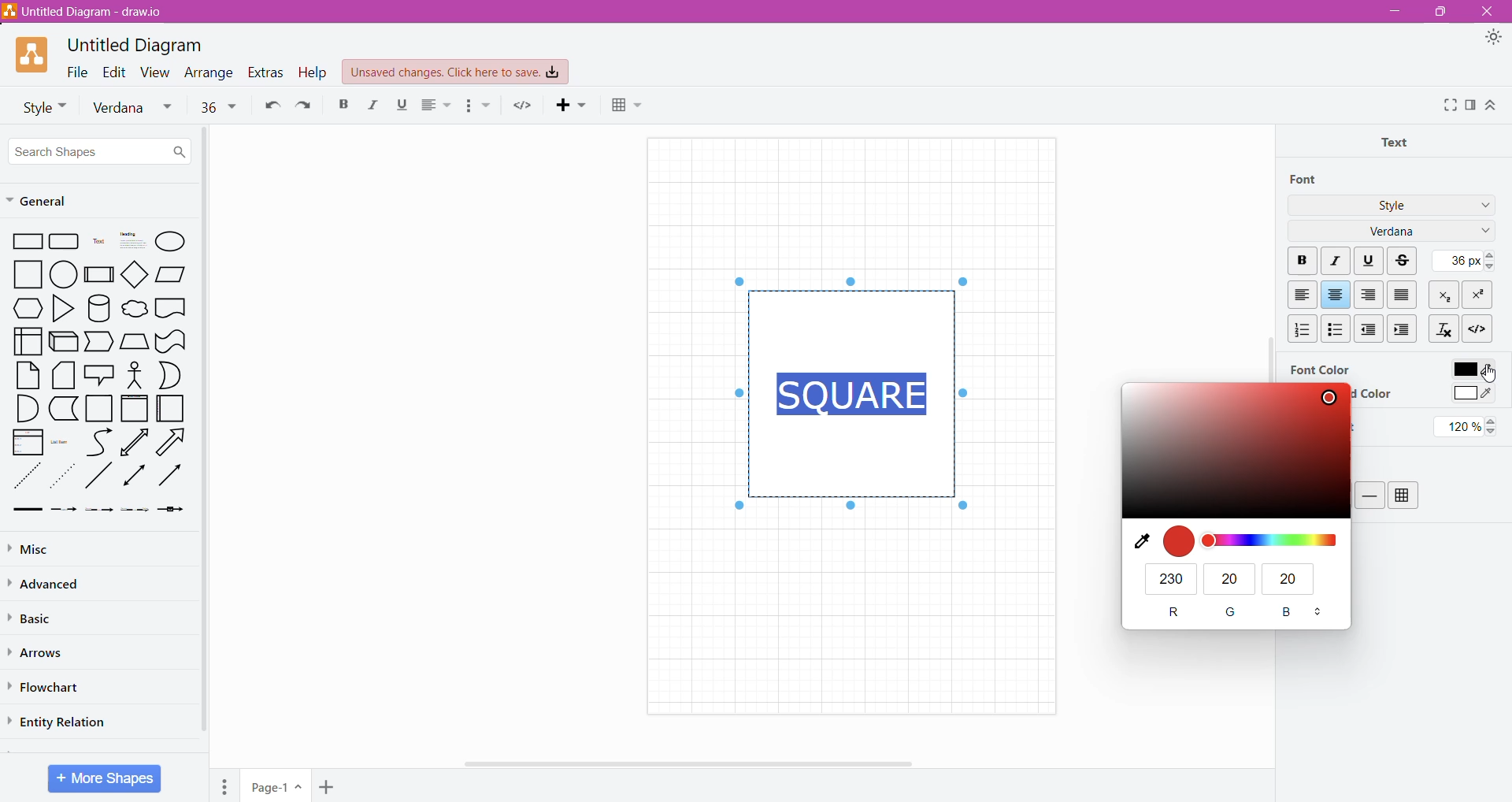 Image resolution: width=1512 pixels, height=802 pixels. What do you see at coordinates (1485, 11) in the screenshot?
I see `Close` at bounding box center [1485, 11].